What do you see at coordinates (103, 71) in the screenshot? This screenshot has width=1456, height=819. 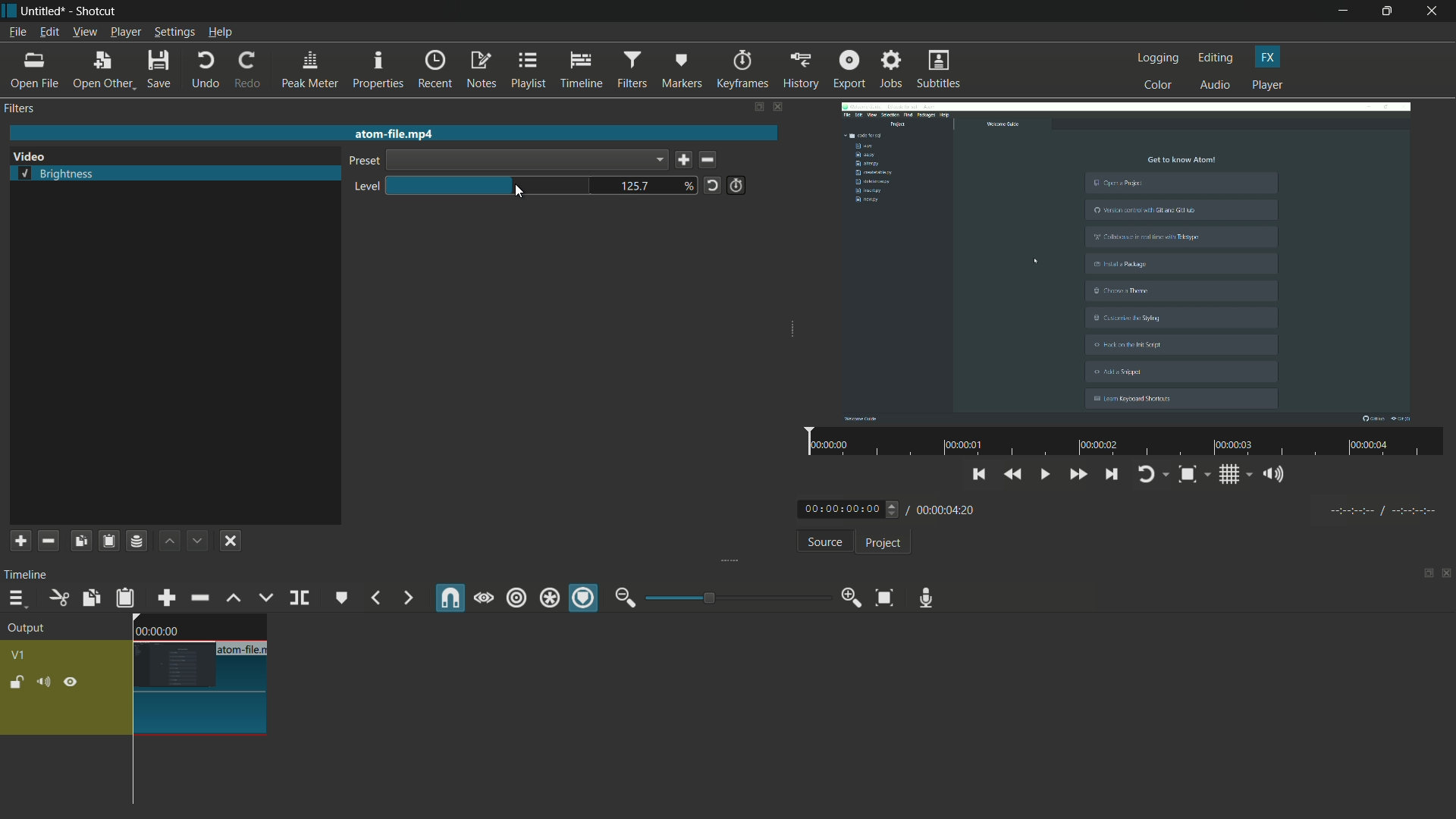 I see `open other` at bounding box center [103, 71].